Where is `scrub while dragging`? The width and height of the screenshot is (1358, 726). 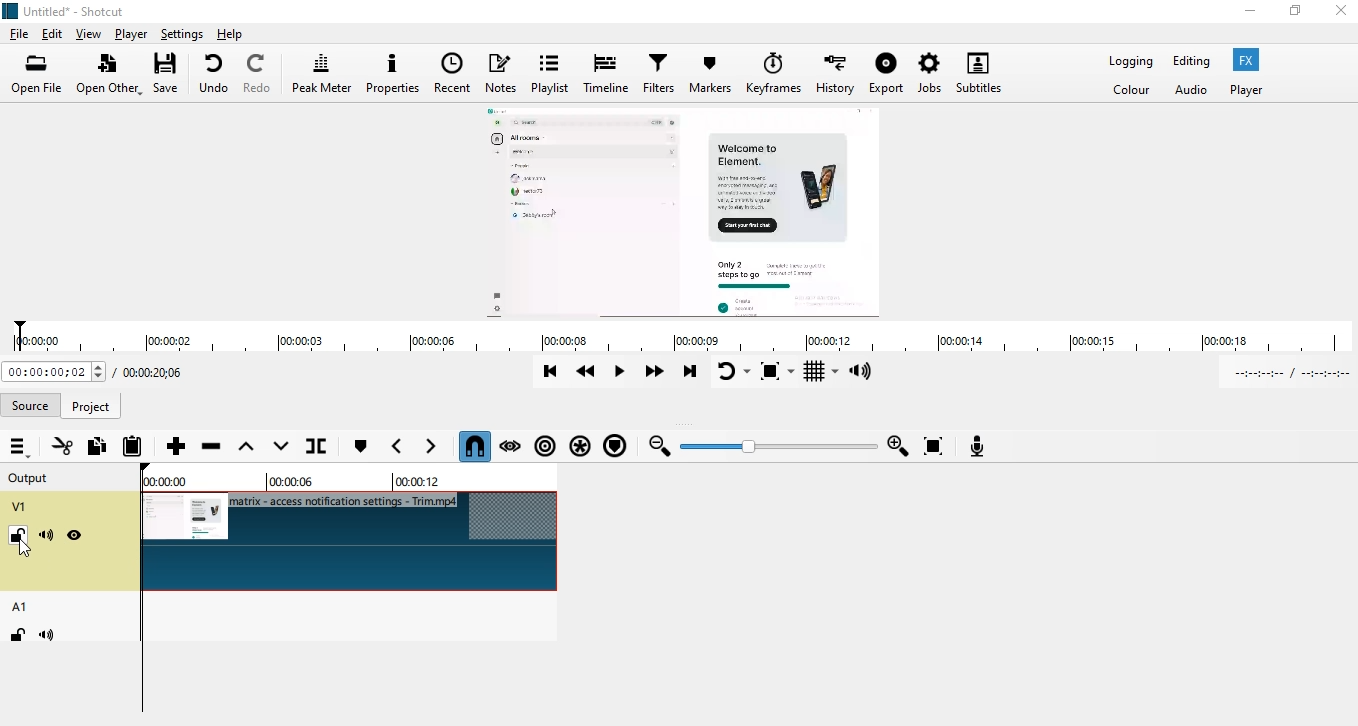 scrub while dragging is located at coordinates (511, 445).